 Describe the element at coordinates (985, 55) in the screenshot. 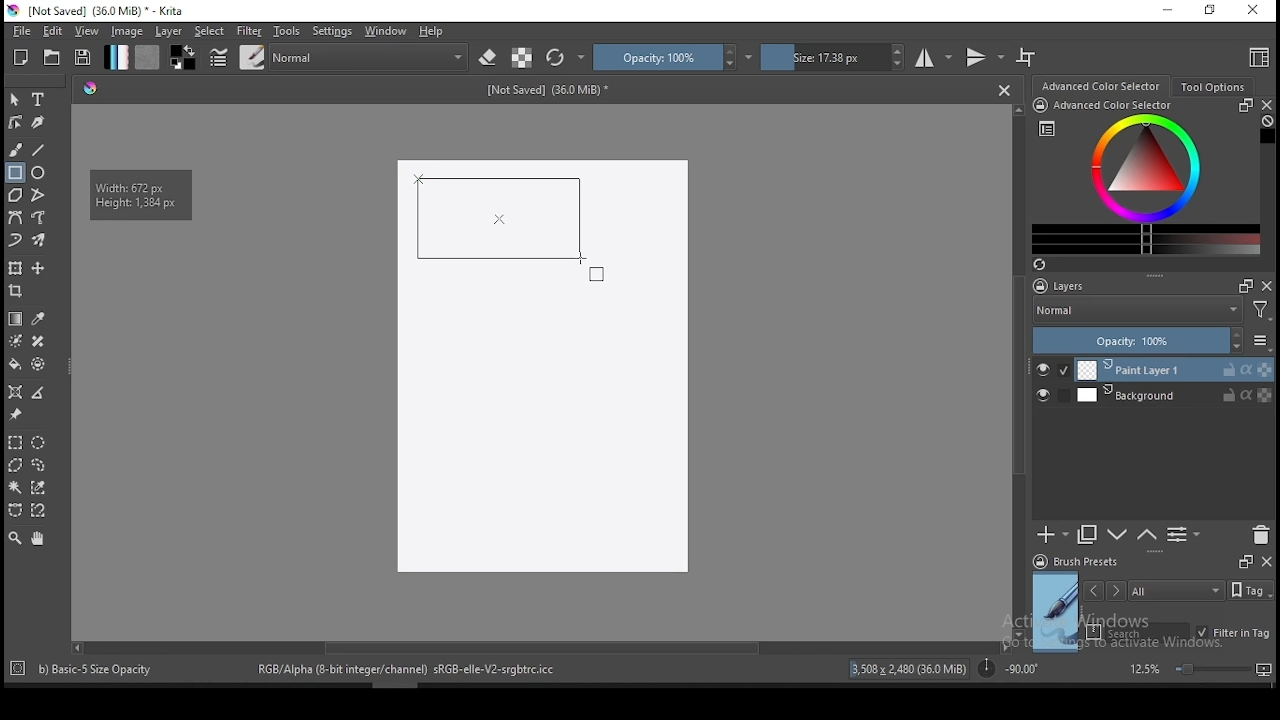

I see `` at that location.